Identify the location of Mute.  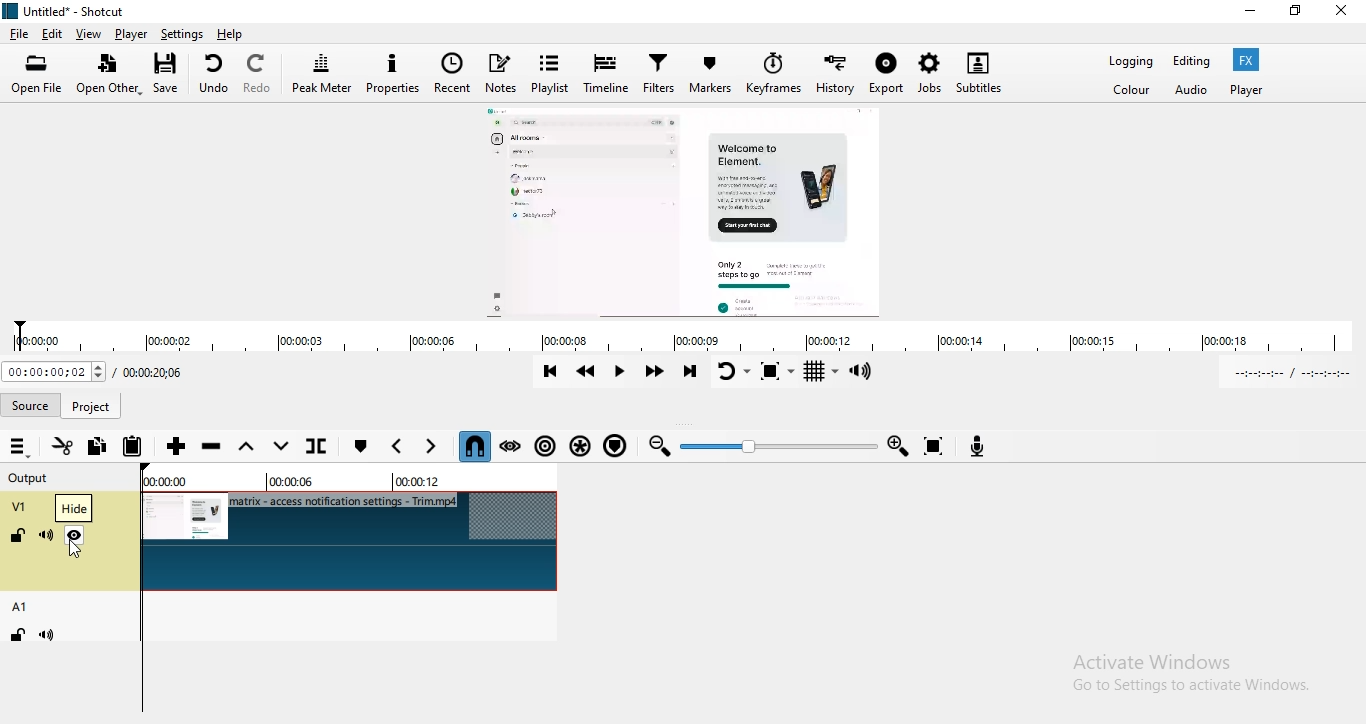
(46, 536).